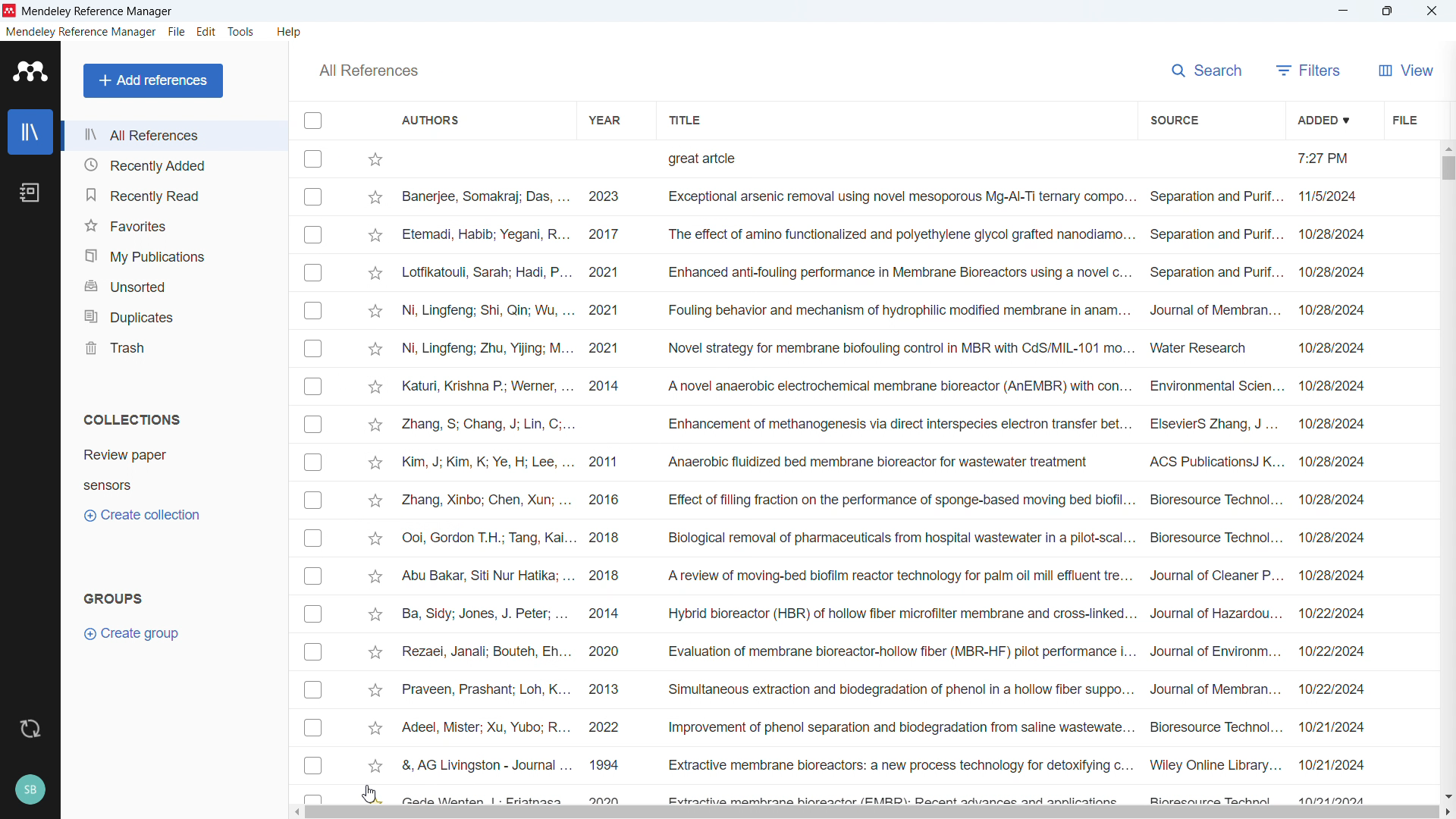 The height and width of the screenshot is (819, 1456). Describe the element at coordinates (1344, 11) in the screenshot. I see `minimise ` at that location.